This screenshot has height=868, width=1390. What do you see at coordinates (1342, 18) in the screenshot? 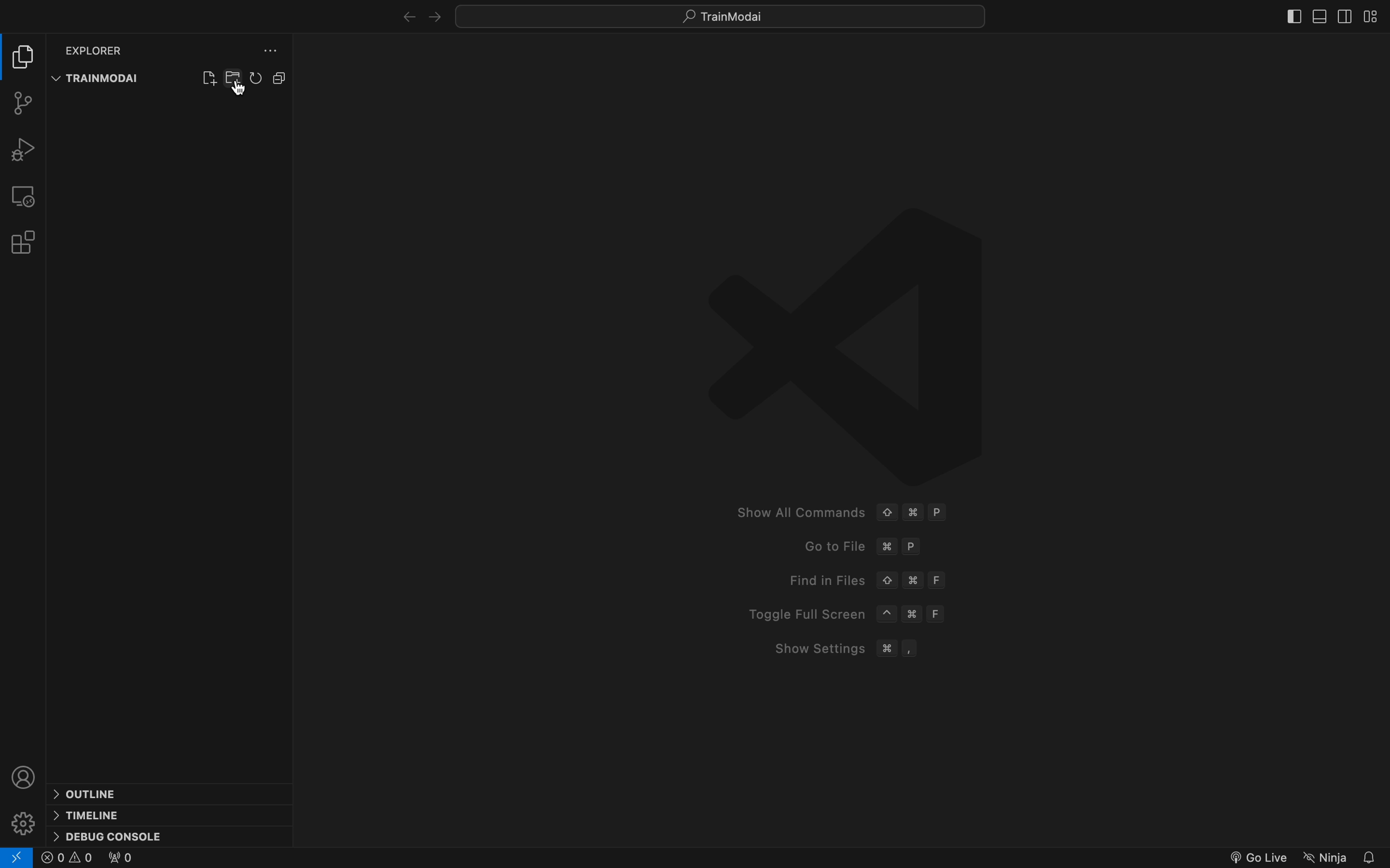
I see `toggle secondary bar` at bounding box center [1342, 18].